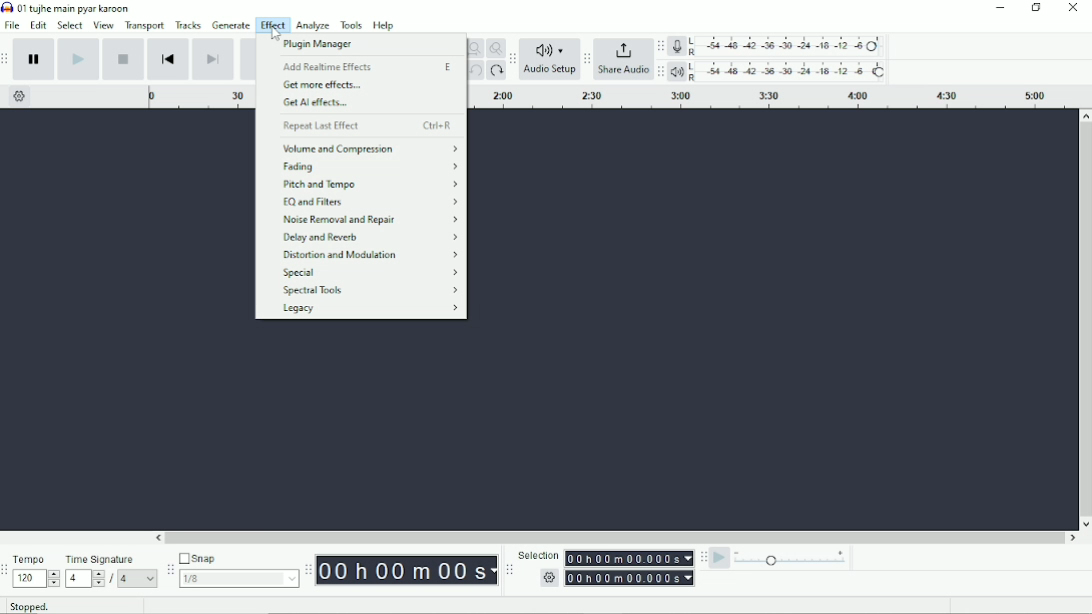 Image resolution: width=1092 pixels, height=614 pixels. What do you see at coordinates (366, 66) in the screenshot?
I see `Add Realtime Effects` at bounding box center [366, 66].